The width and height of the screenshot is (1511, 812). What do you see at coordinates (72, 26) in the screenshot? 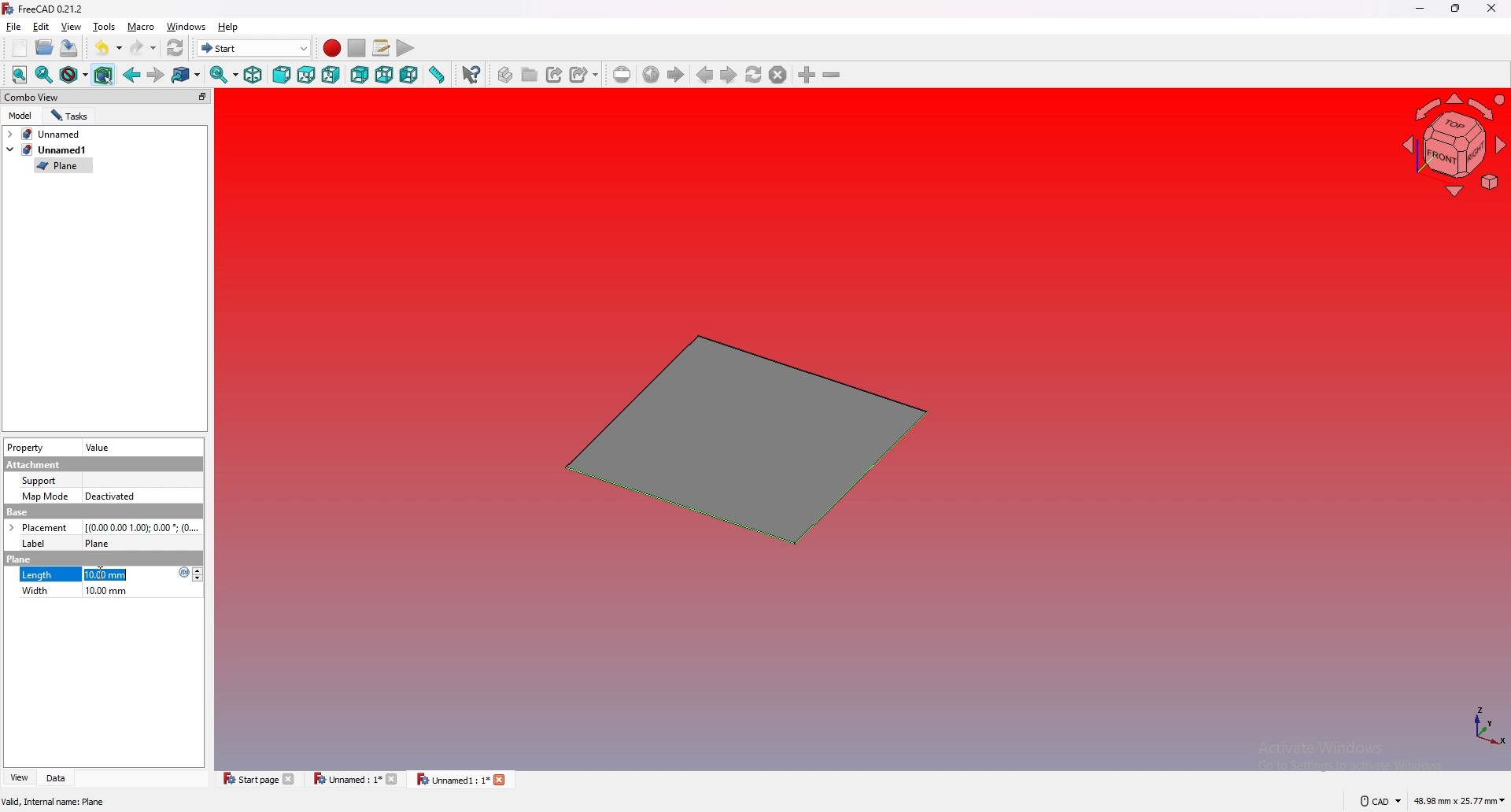
I see `view` at bounding box center [72, 26].